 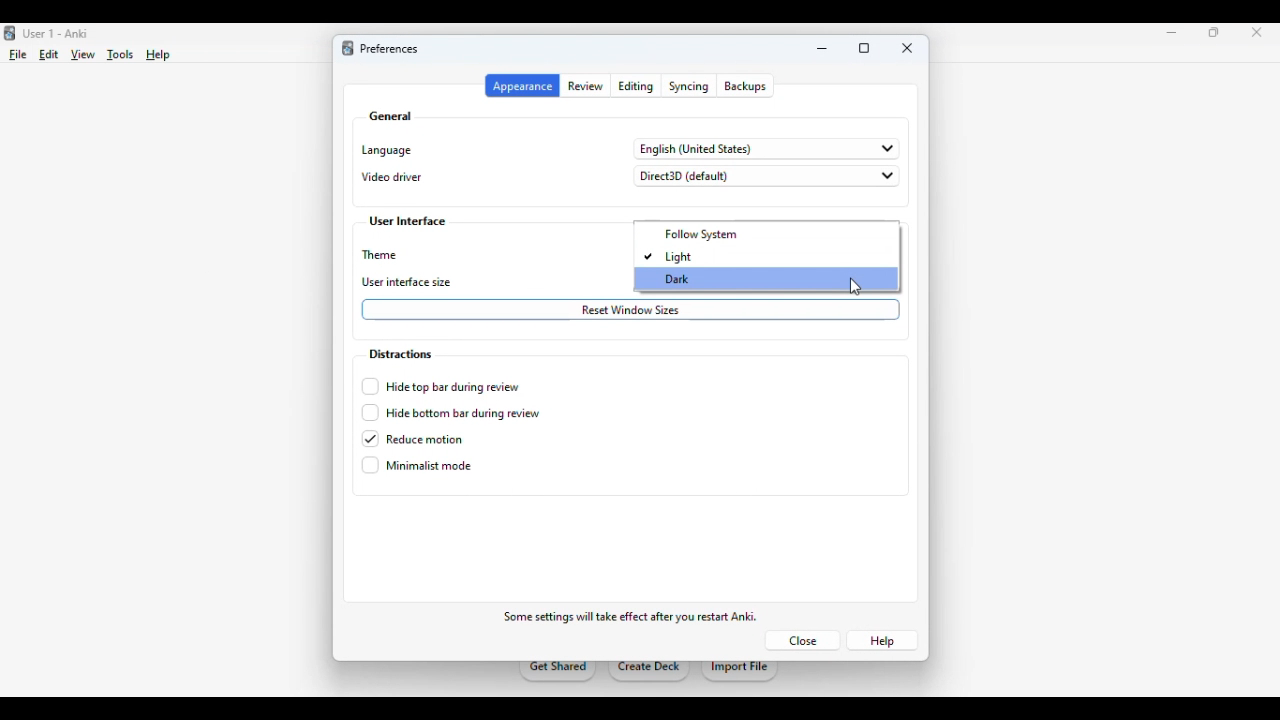 I want to click on dark, so click(x=680, y=279).